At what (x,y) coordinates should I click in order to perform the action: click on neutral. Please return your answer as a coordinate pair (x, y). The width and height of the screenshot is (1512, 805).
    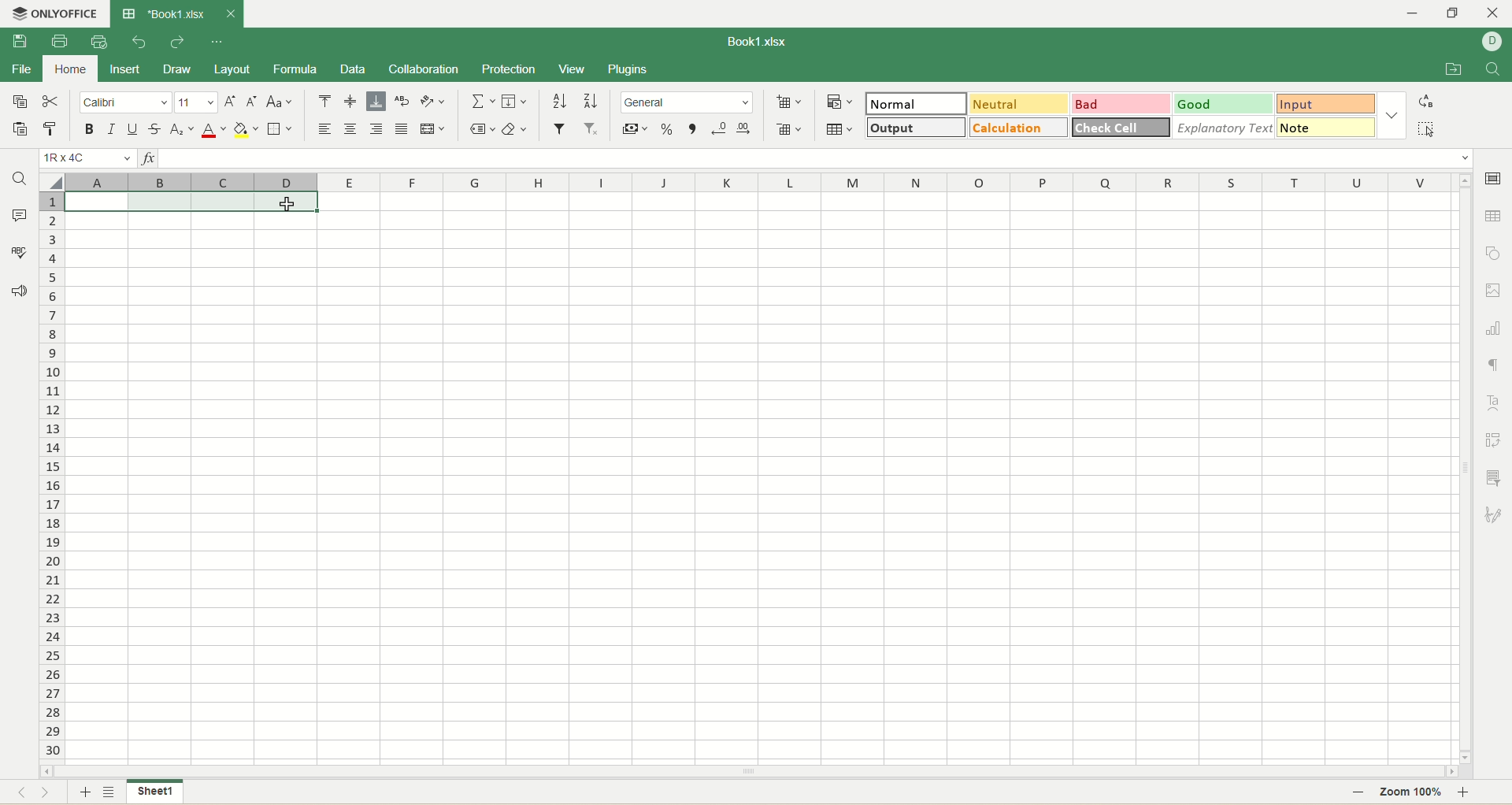
    Looking at the image, I should click on (1018, 102).